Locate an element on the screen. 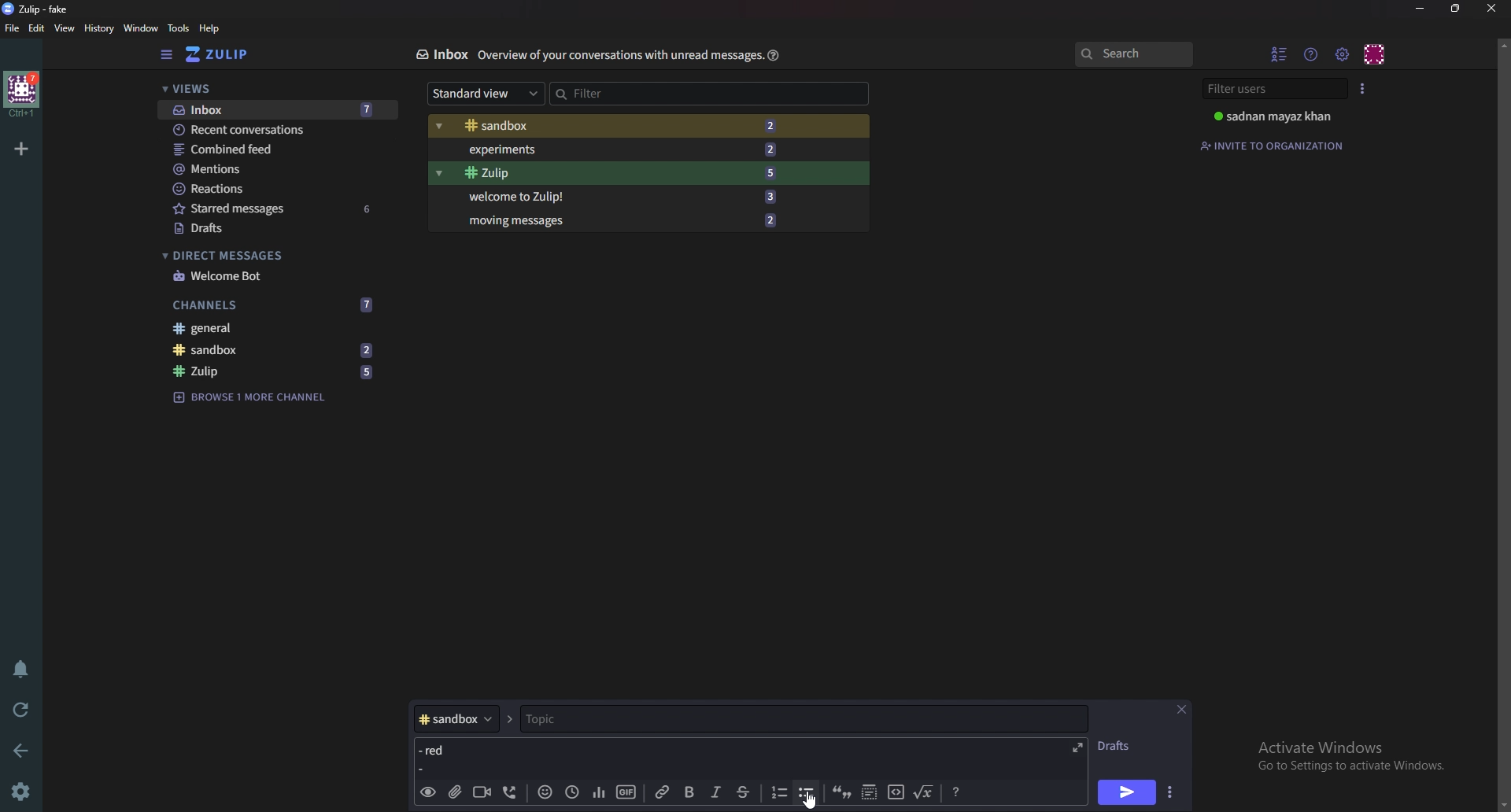 Image resolution: width=1511 pixels, height=812 pixels. Filter is located at coordinates (617, 93).